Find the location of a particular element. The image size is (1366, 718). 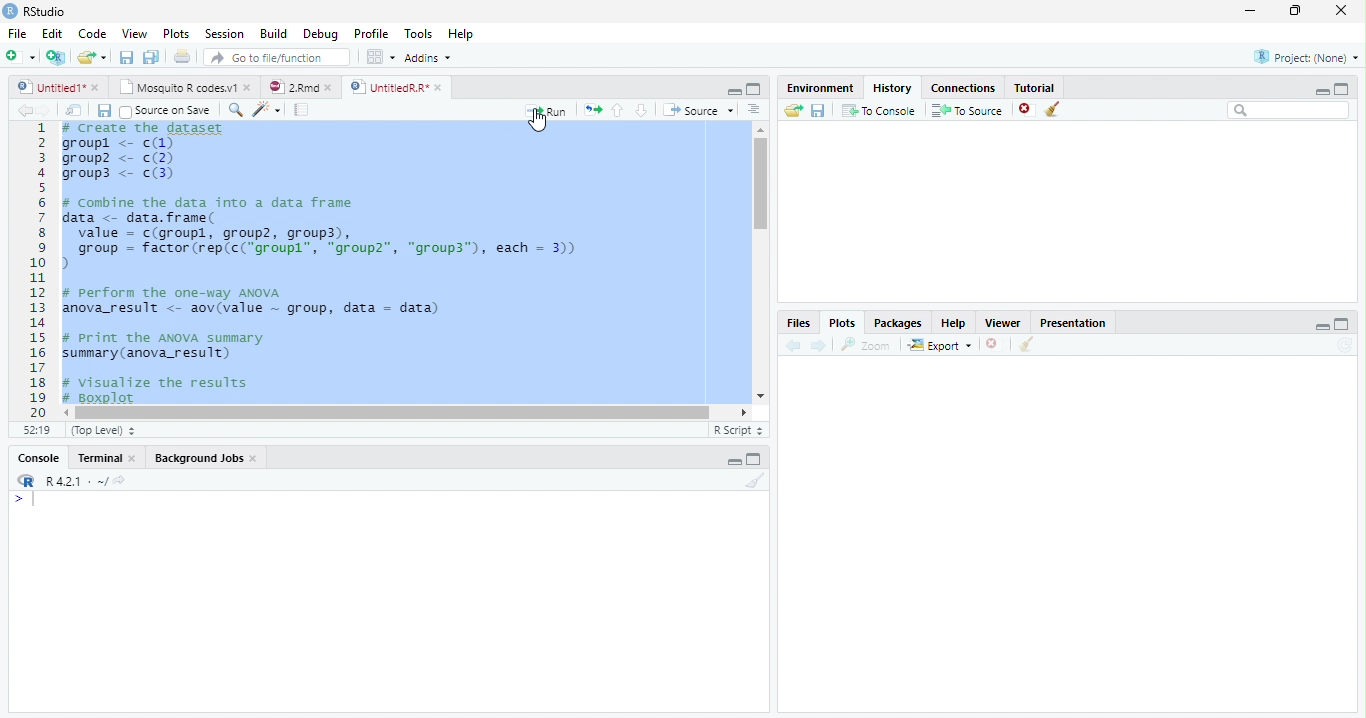

Tutorial is located at coordinates (1036, 86).